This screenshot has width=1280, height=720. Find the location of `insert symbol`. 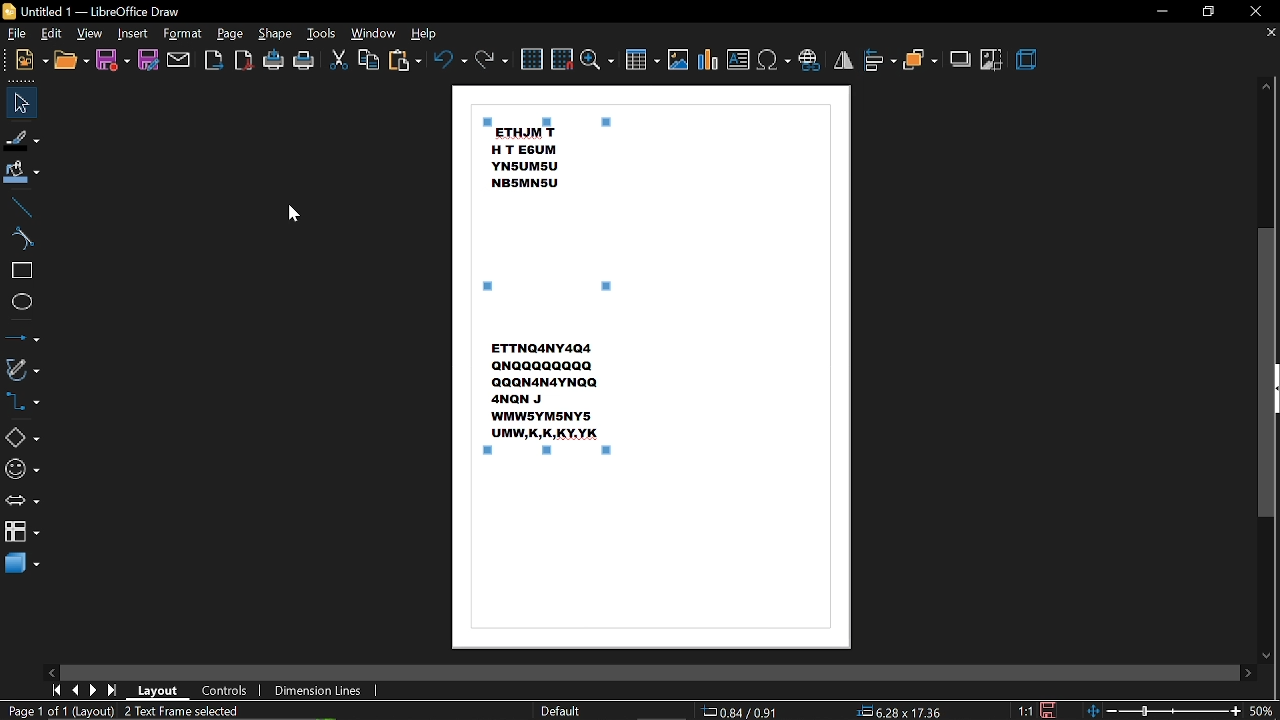

insert symbol is located at coordinates (773, 60).